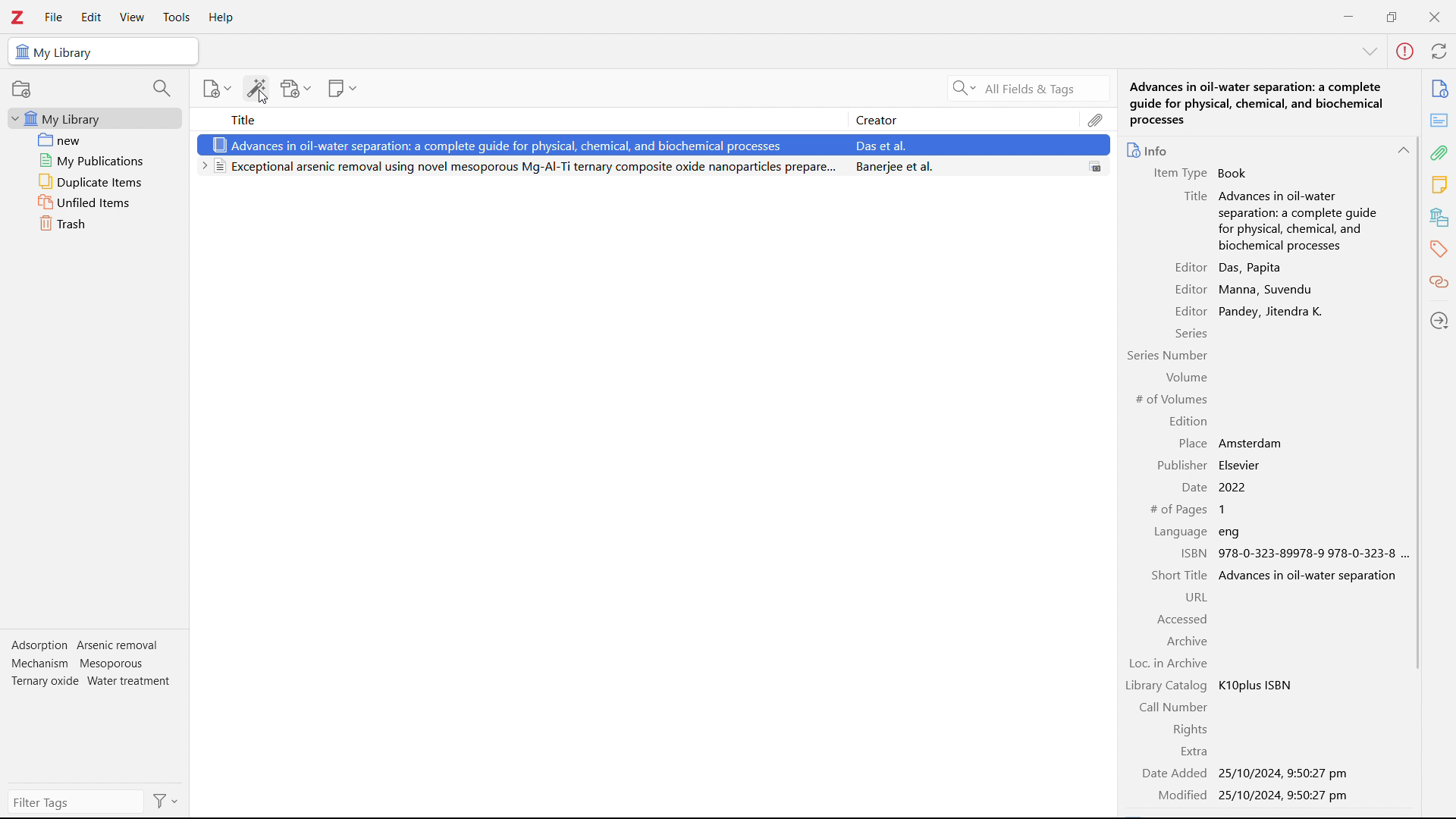  Describe the element at coordinates (1166, 684) in the screenshot. I see `Library catalog` at that location.